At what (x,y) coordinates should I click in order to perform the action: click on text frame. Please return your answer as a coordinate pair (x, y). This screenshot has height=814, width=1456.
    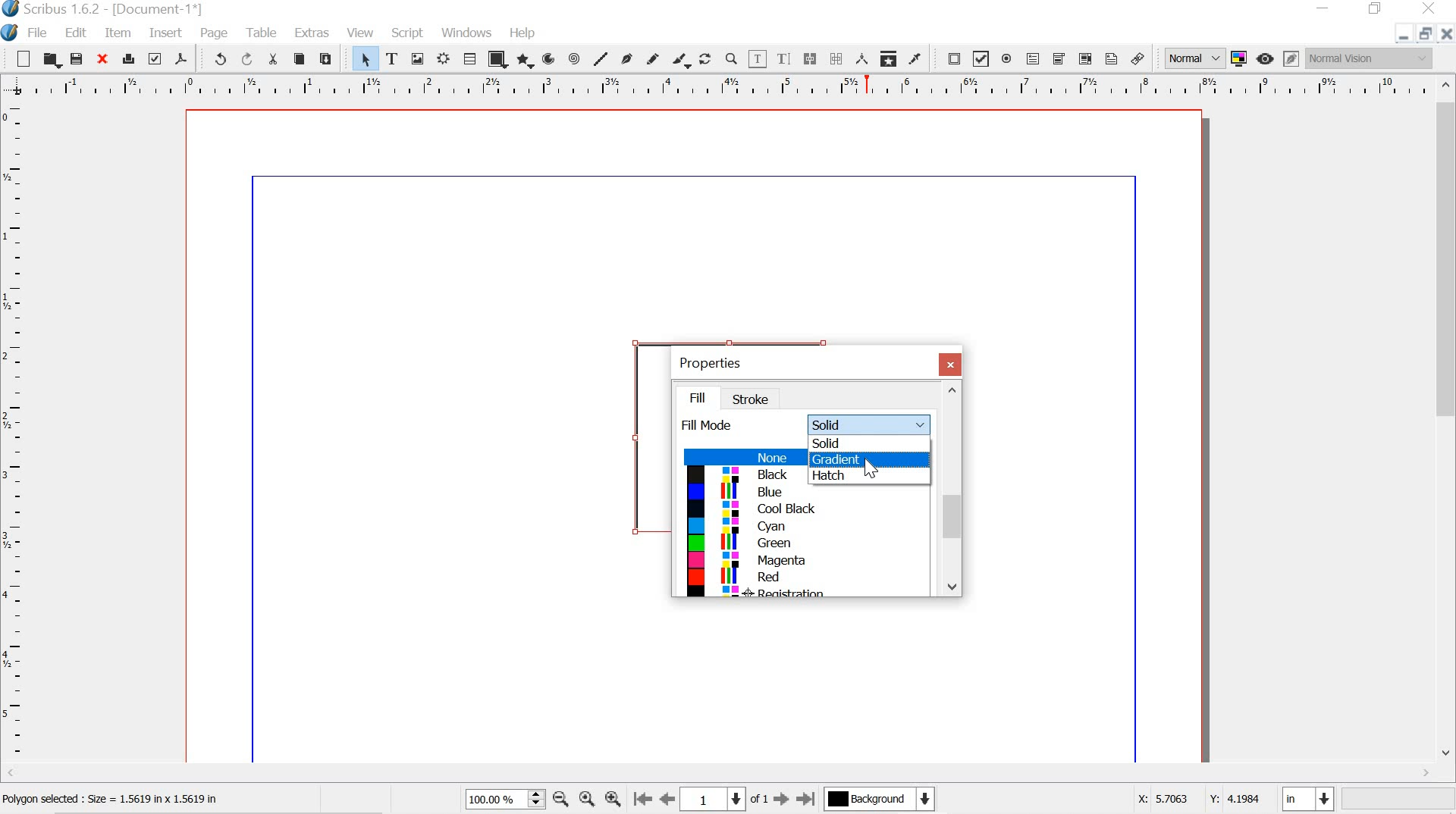
    Looking at the image, I should click on (392, 57).